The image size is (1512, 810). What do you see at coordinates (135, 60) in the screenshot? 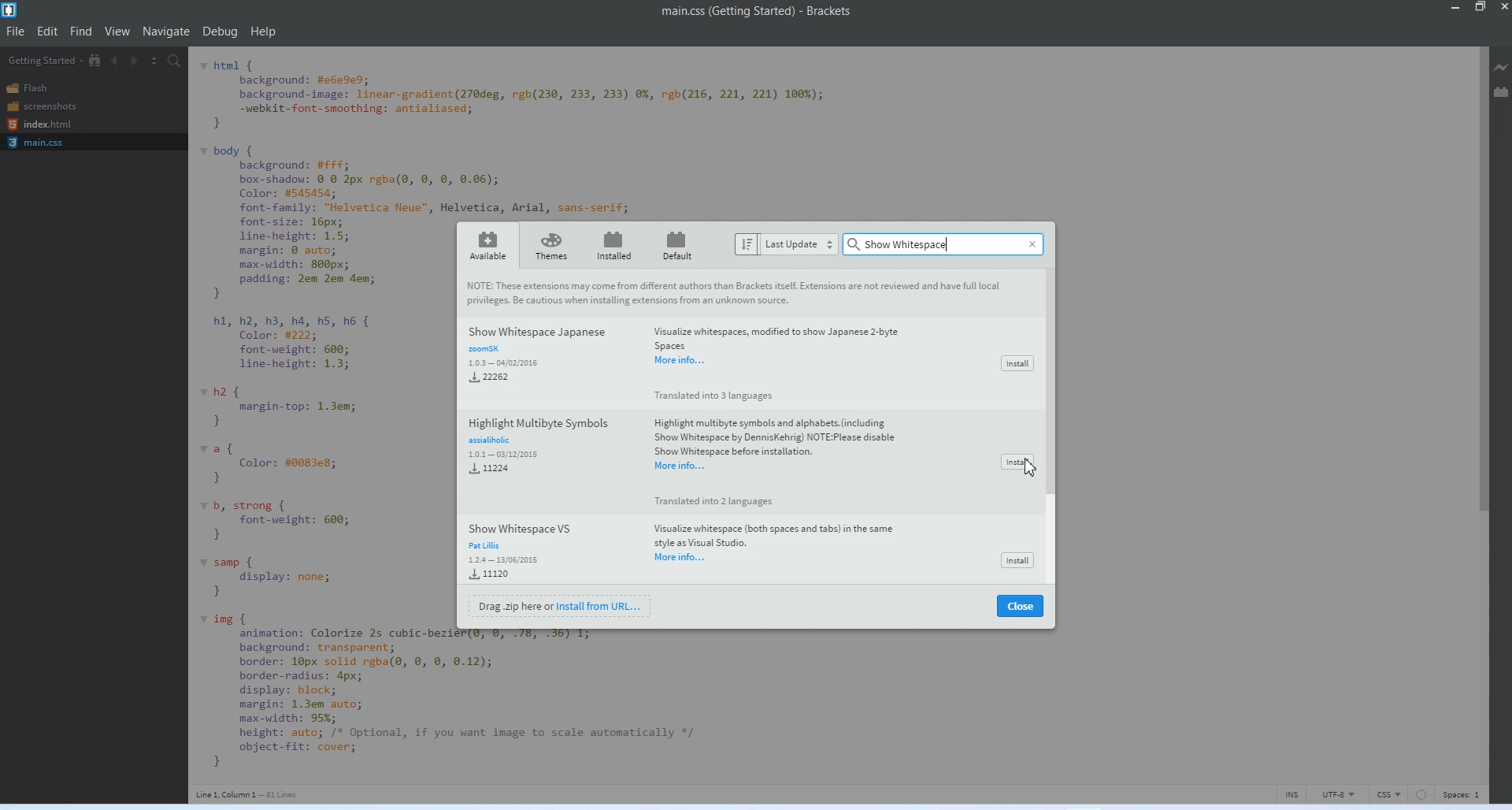
I see `Navigate Forwards ` at bounding box center [135, 60].